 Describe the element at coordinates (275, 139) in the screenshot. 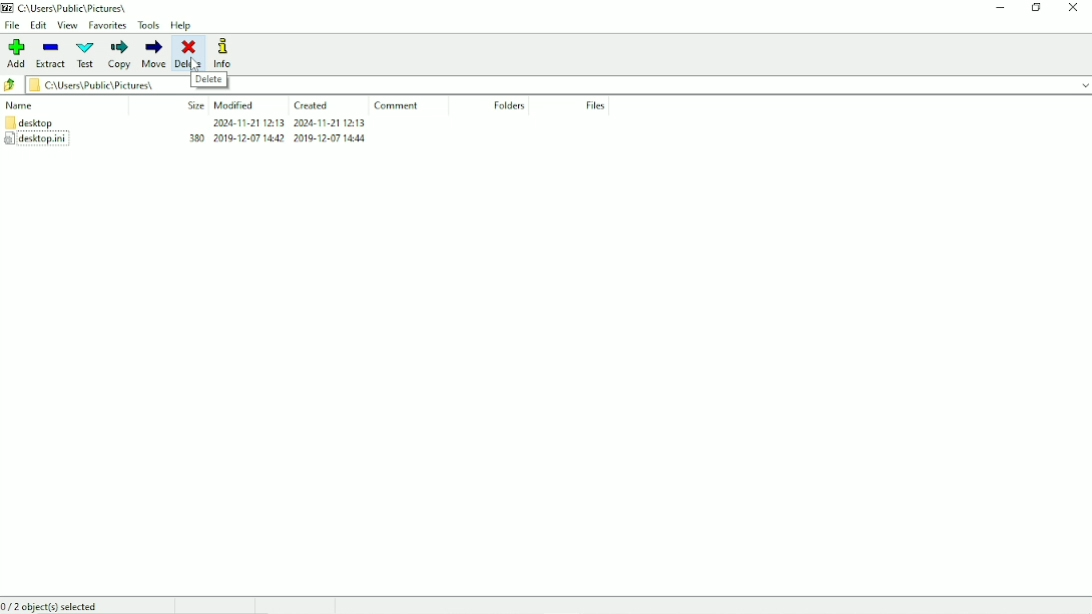

I see `380 2019-12-07 1442 2019-12-07 14M` at that location.